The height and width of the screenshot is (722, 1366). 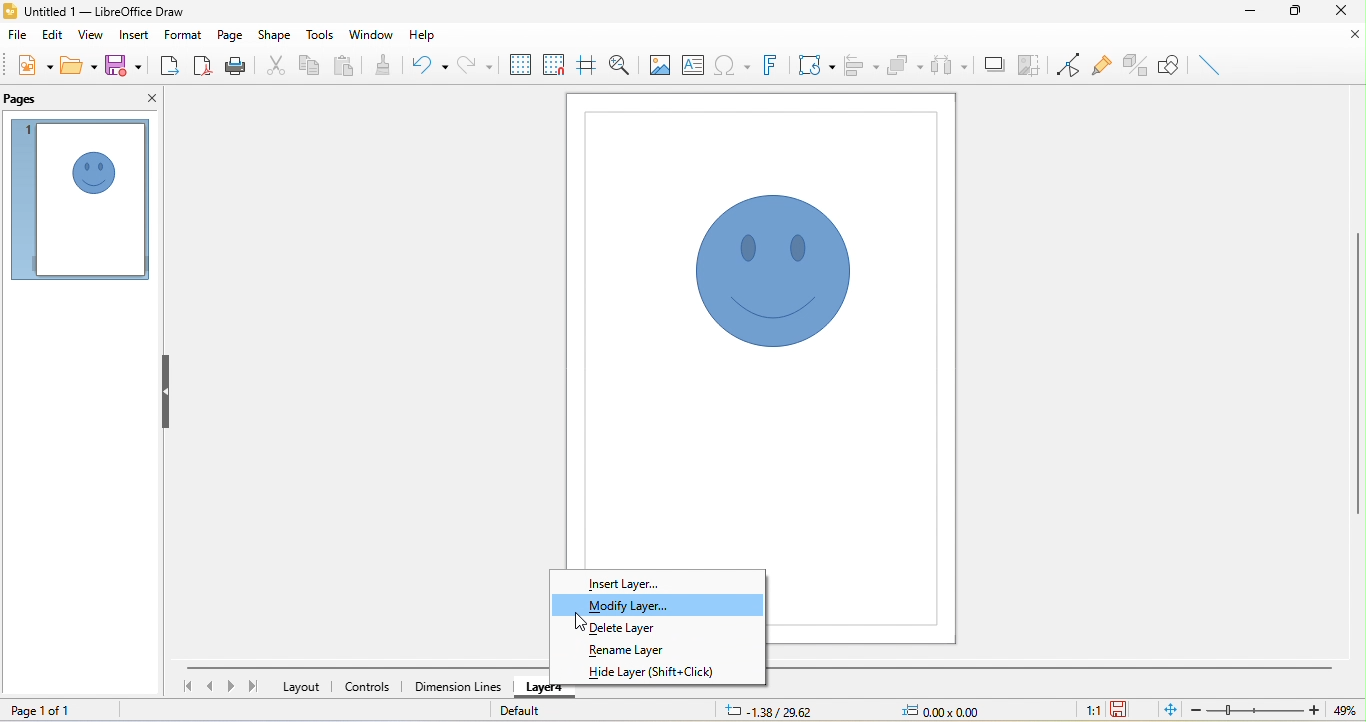 What do you see at coordinates (274, 37) in the screenshot?
I see `shape` at bounding box center [274, 37].